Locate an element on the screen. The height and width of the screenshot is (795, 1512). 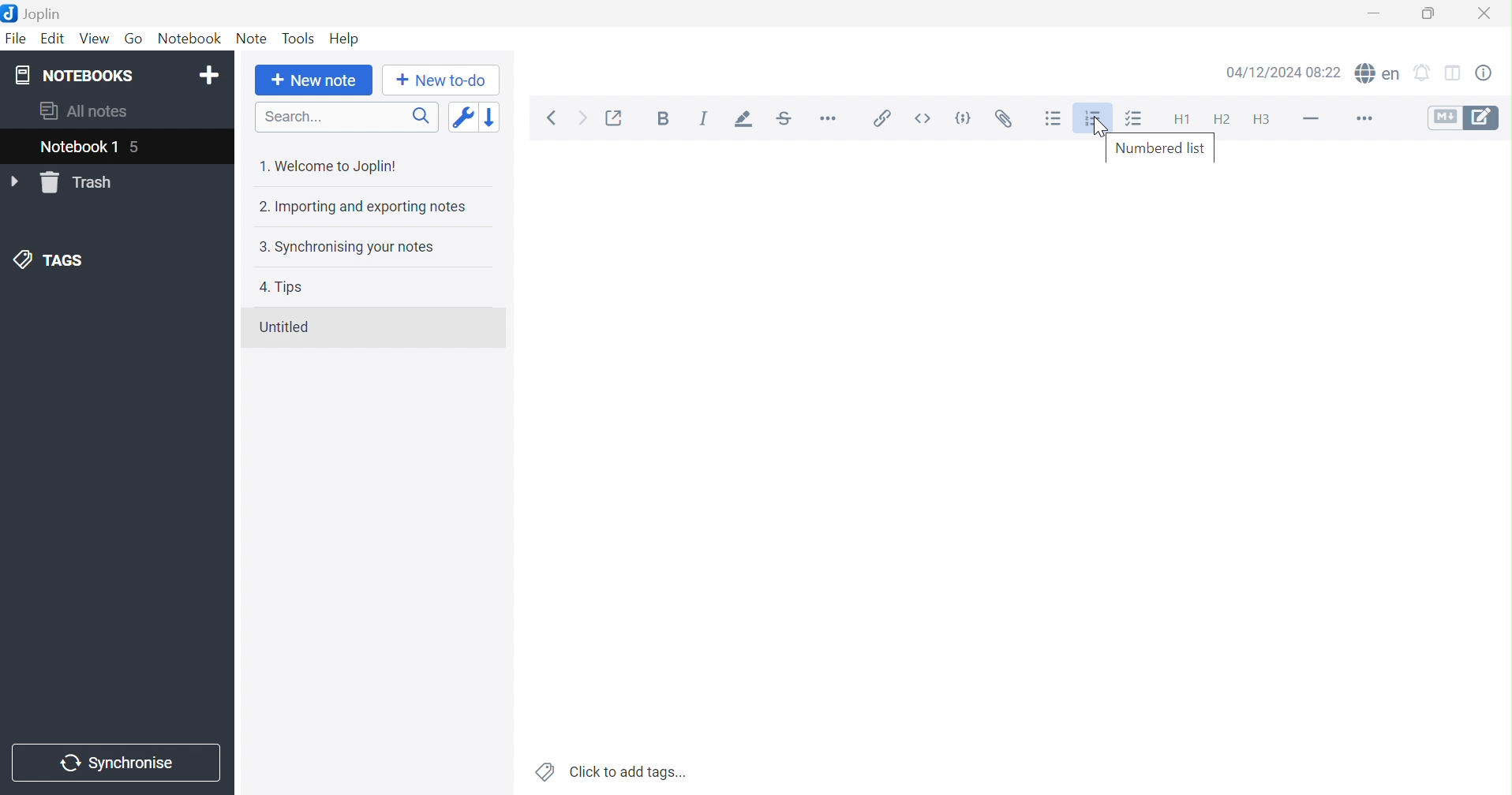
Joplin is located at coordinates (35, 13).